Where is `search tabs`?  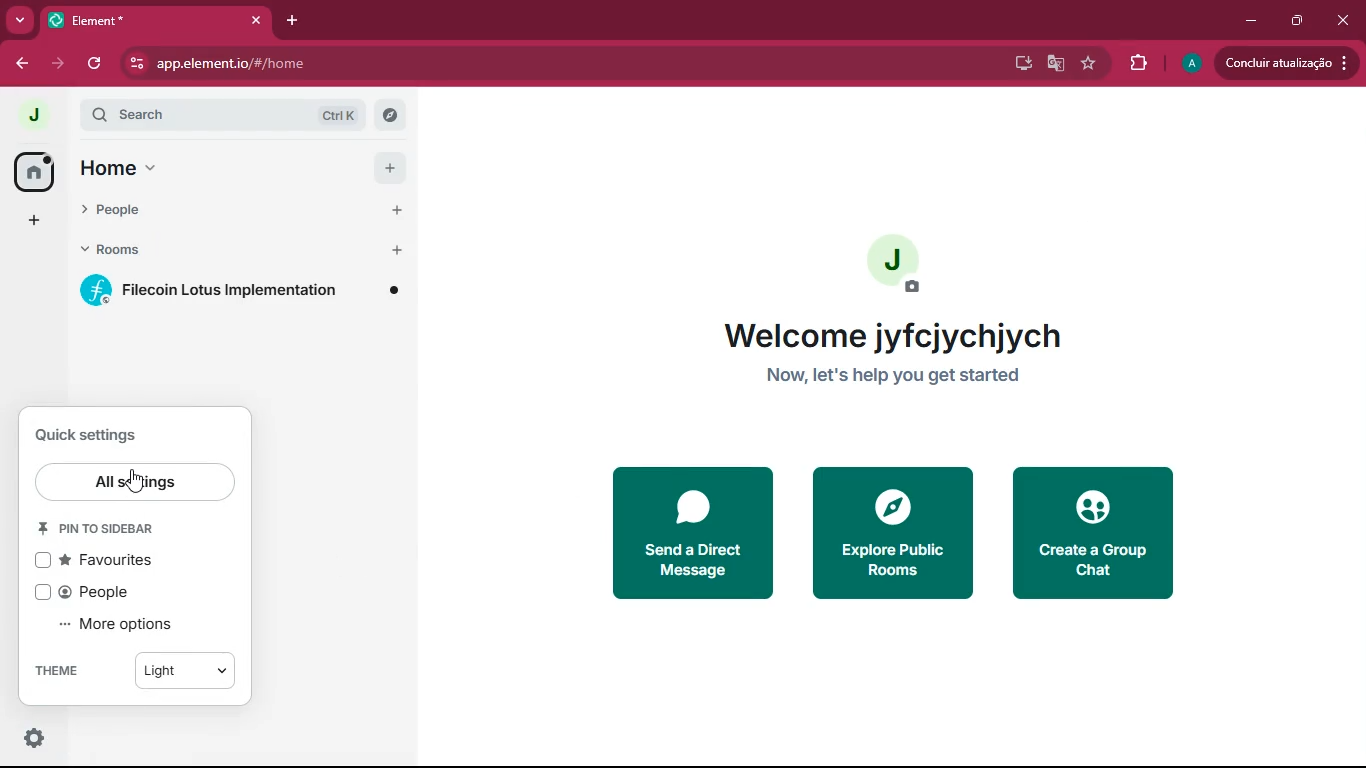
search tabs is located at coordinates (20, 21).